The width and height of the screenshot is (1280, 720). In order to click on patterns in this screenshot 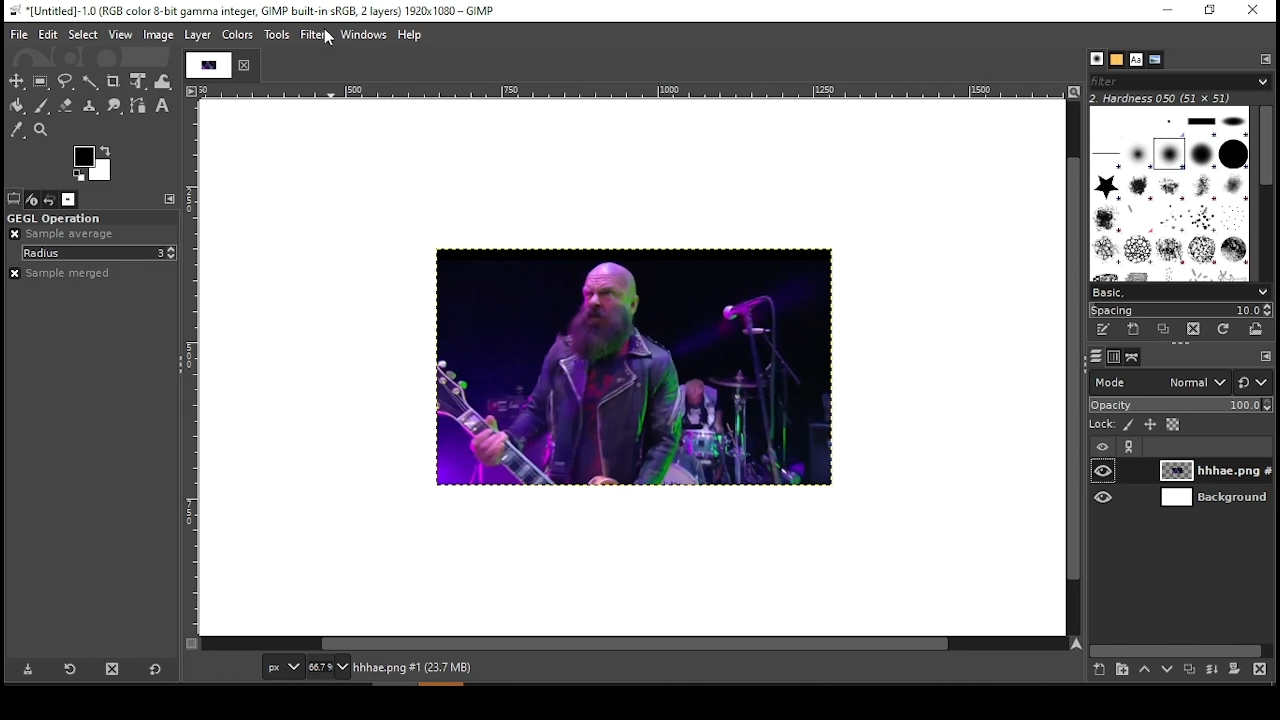, I will do `click(1117, 60)`.